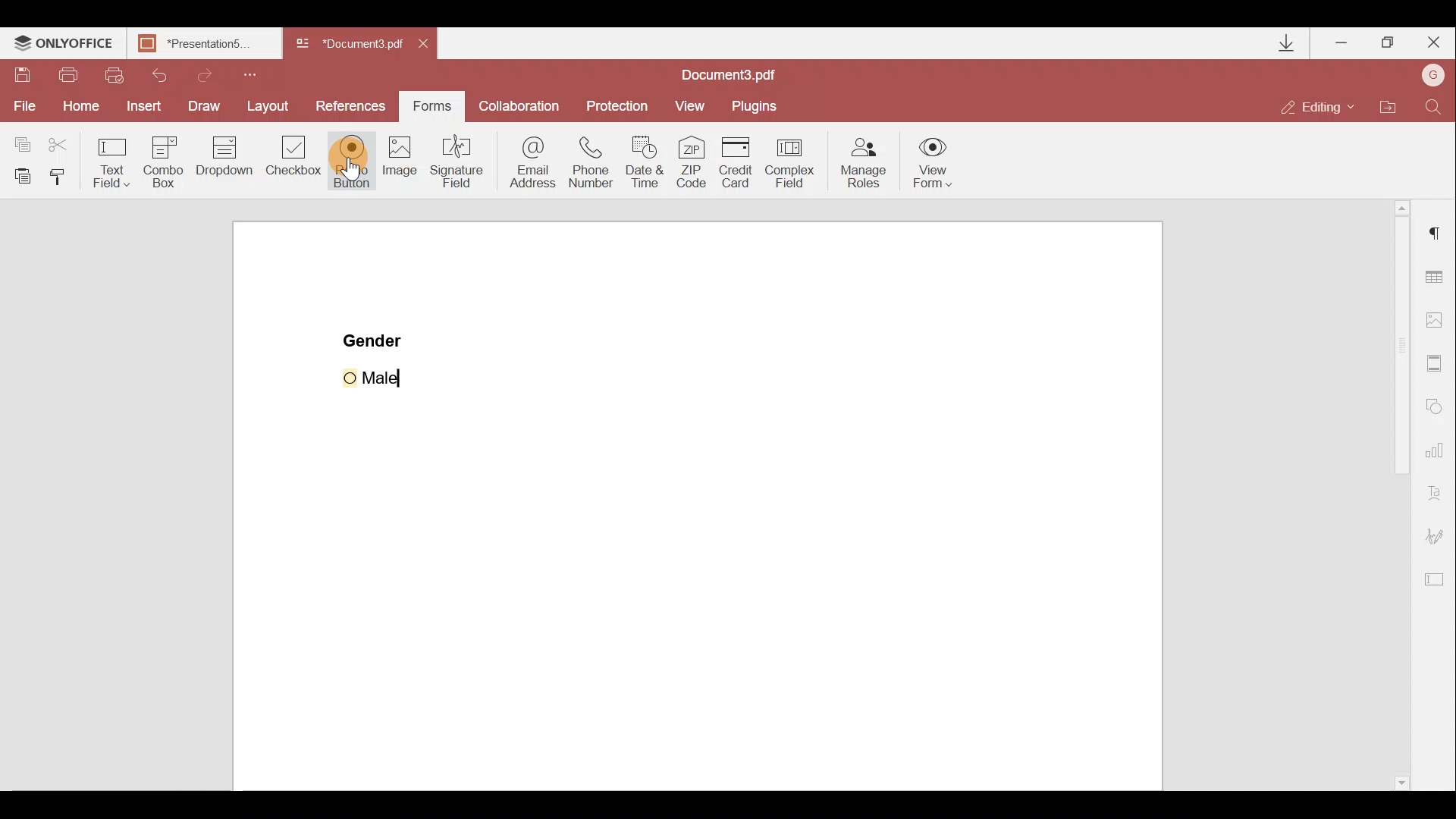 The height and width of the screenshot is (819, 1456). What do you see at coordinates (109, 160) in the screenshot?
I see `Text field` at bounding box center [109, 160].